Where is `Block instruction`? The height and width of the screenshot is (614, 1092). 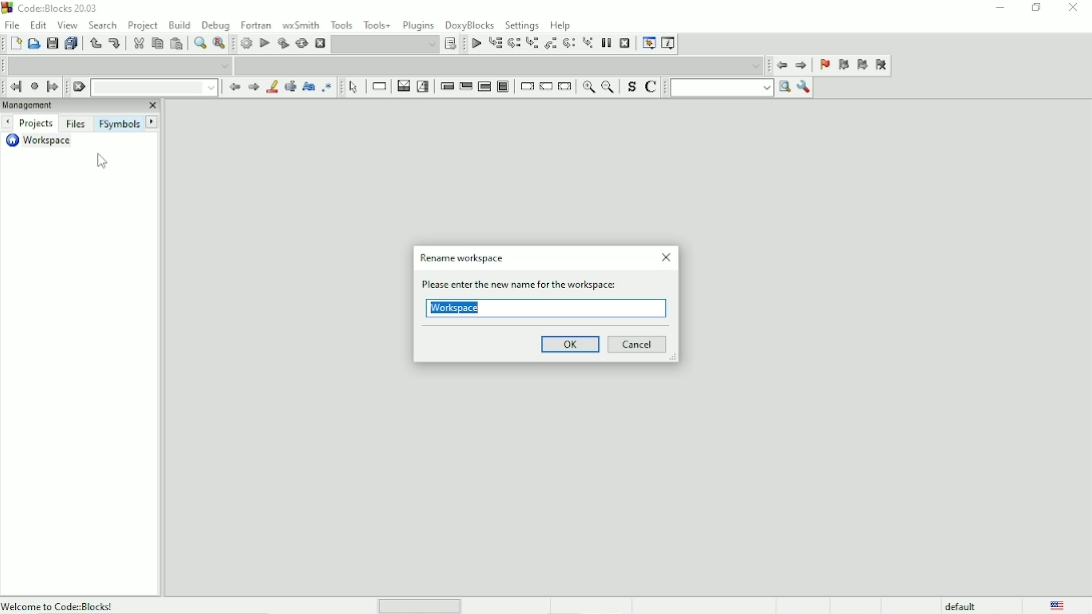
Block instruction is located at coordinates (504, 88).